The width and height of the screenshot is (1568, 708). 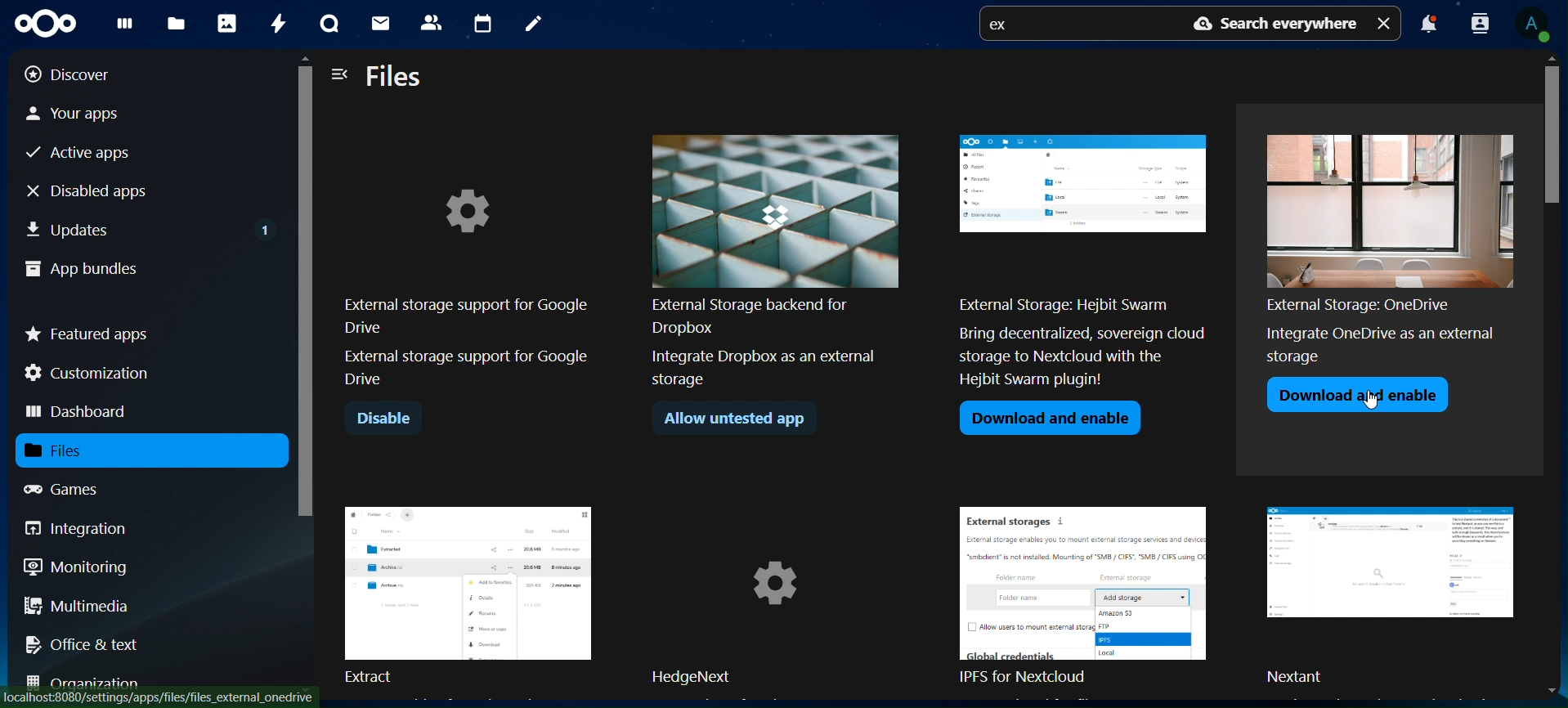 I want to click on files, so click(x=75, y=450).